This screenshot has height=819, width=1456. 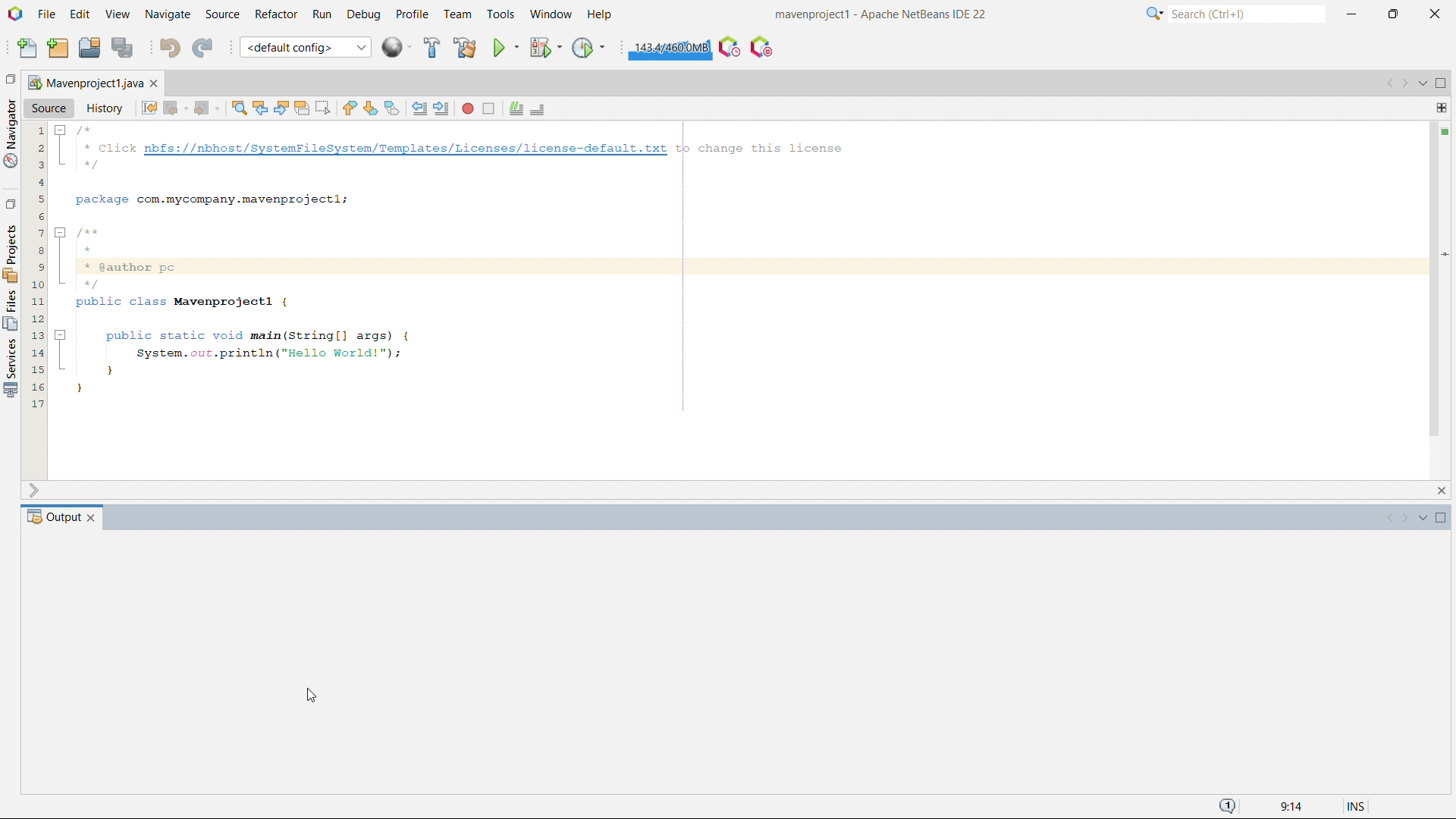 What do you see at coordinates (1155, 14) in the screenshot?
I see `search options` at bounding box center [1155, 14].